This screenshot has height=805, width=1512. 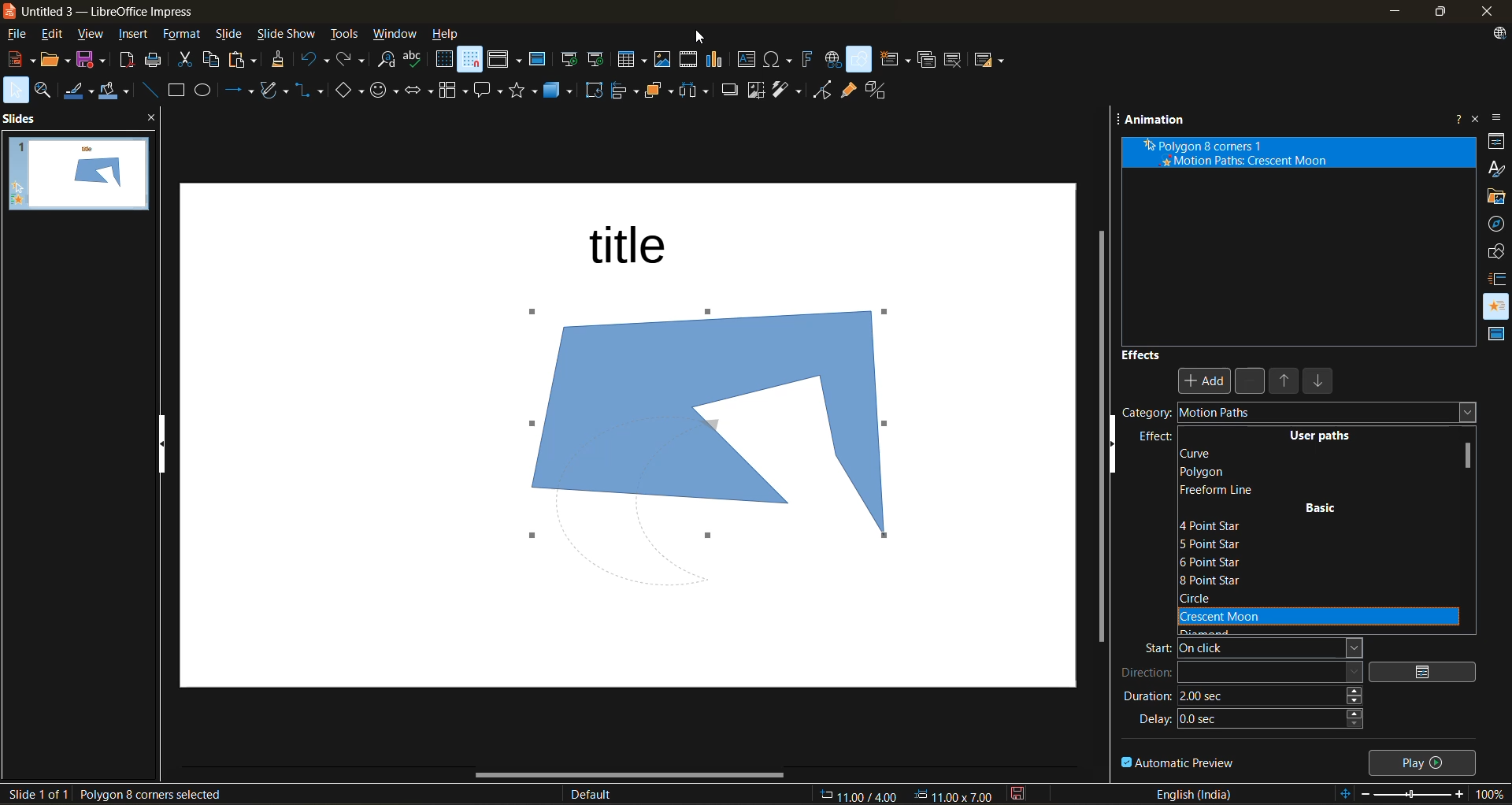 What do you see at coordinates (1210, 598) in the screenshot?
I see `circle` at bounding box center [1210, 598].